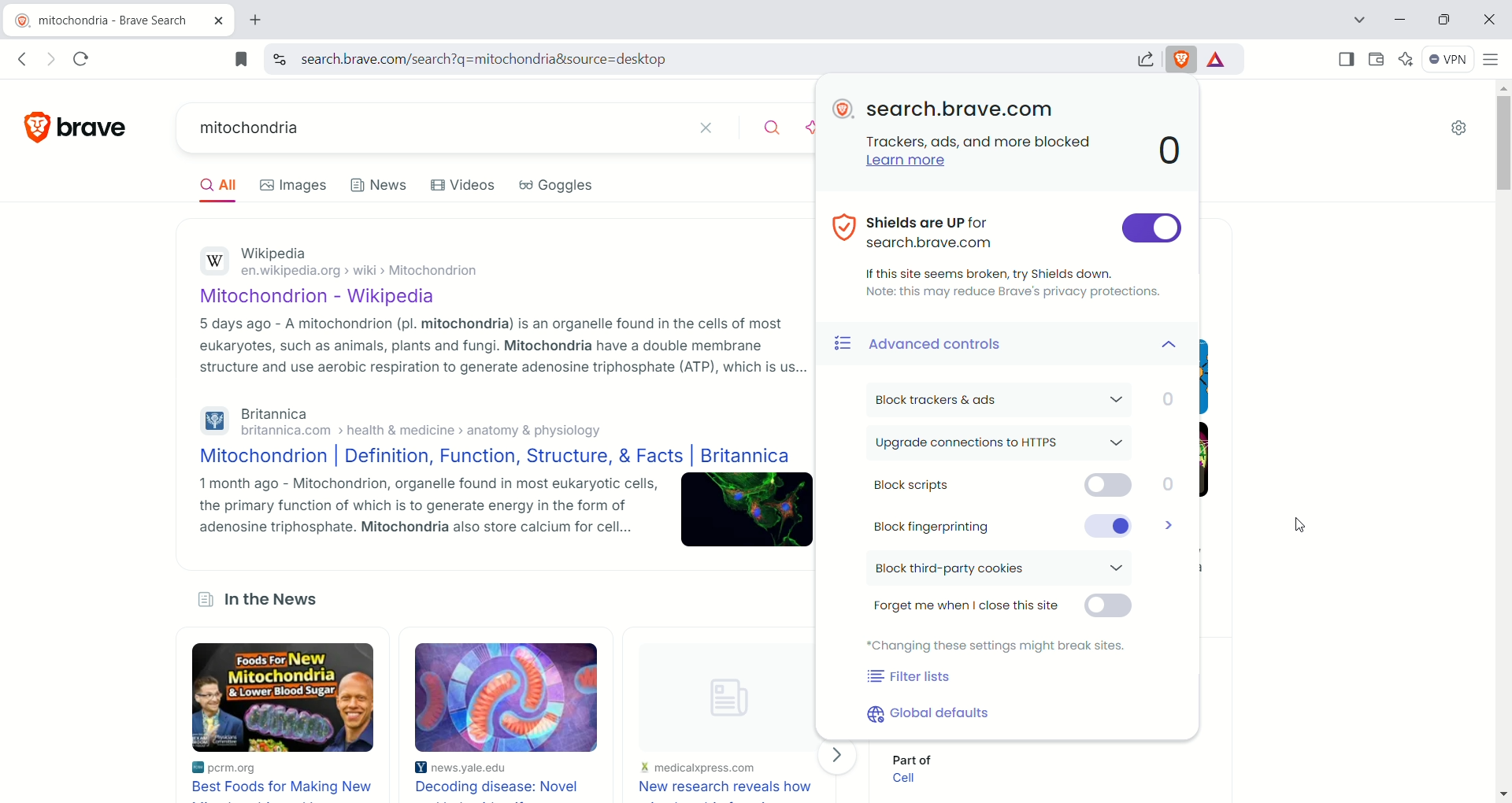 The image size is (1512, 803). What do you see at coordinates (920, 757) in the screenshot?
I see `Part of` at bounding box center [920, 757].